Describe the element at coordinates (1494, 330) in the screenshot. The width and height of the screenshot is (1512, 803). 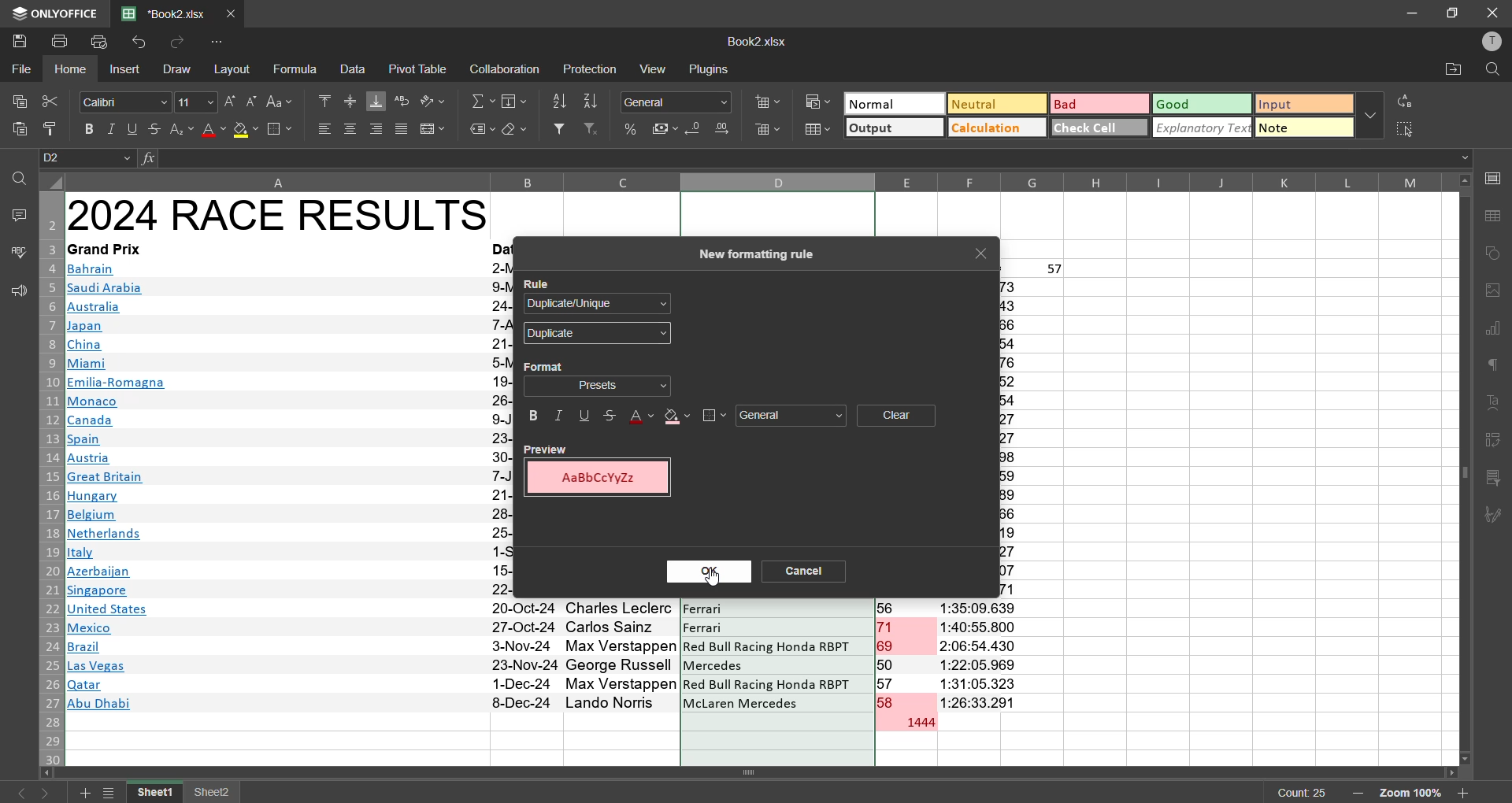
I see `charts` at that location.